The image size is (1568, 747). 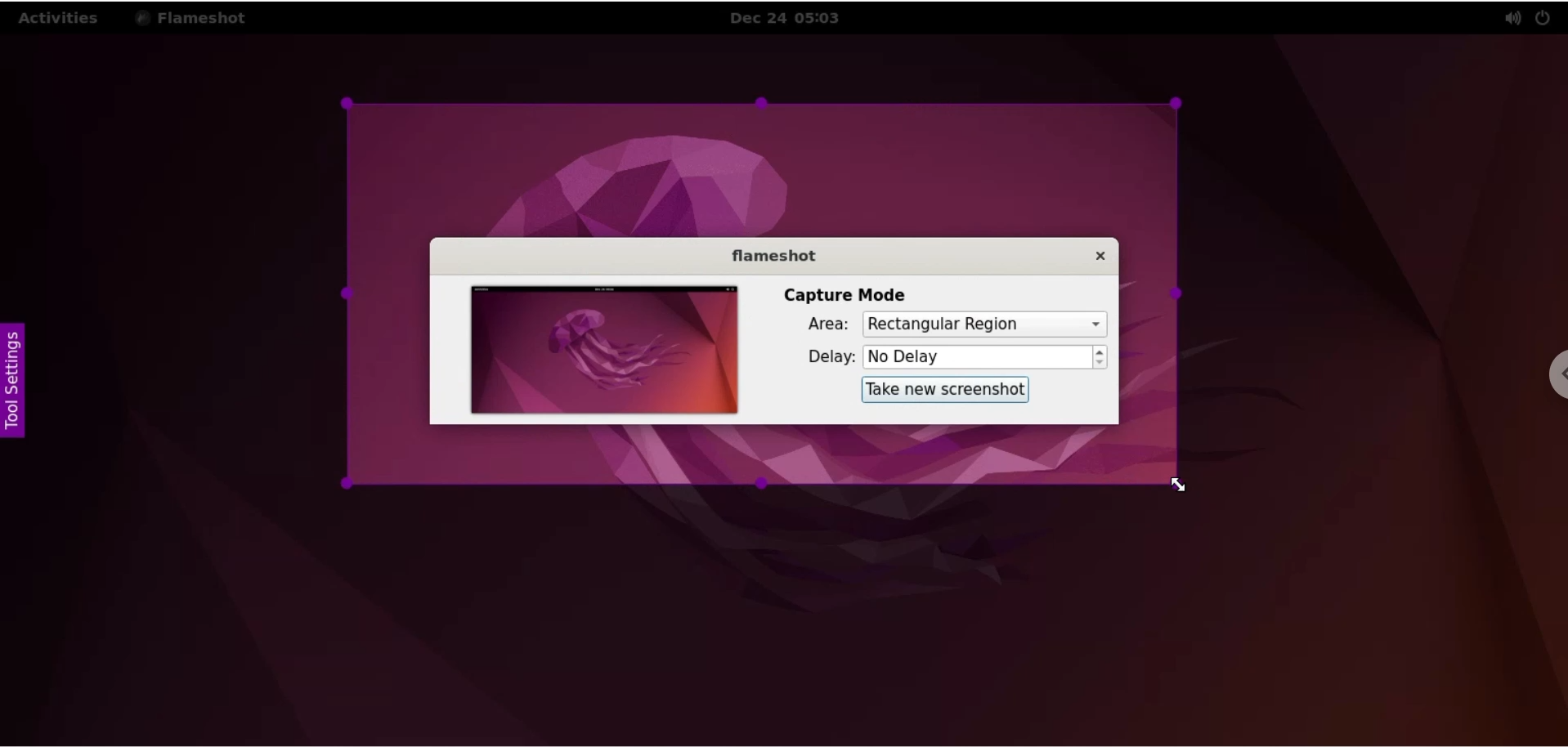 I want to click on selected area, so click(x=761, y=295).